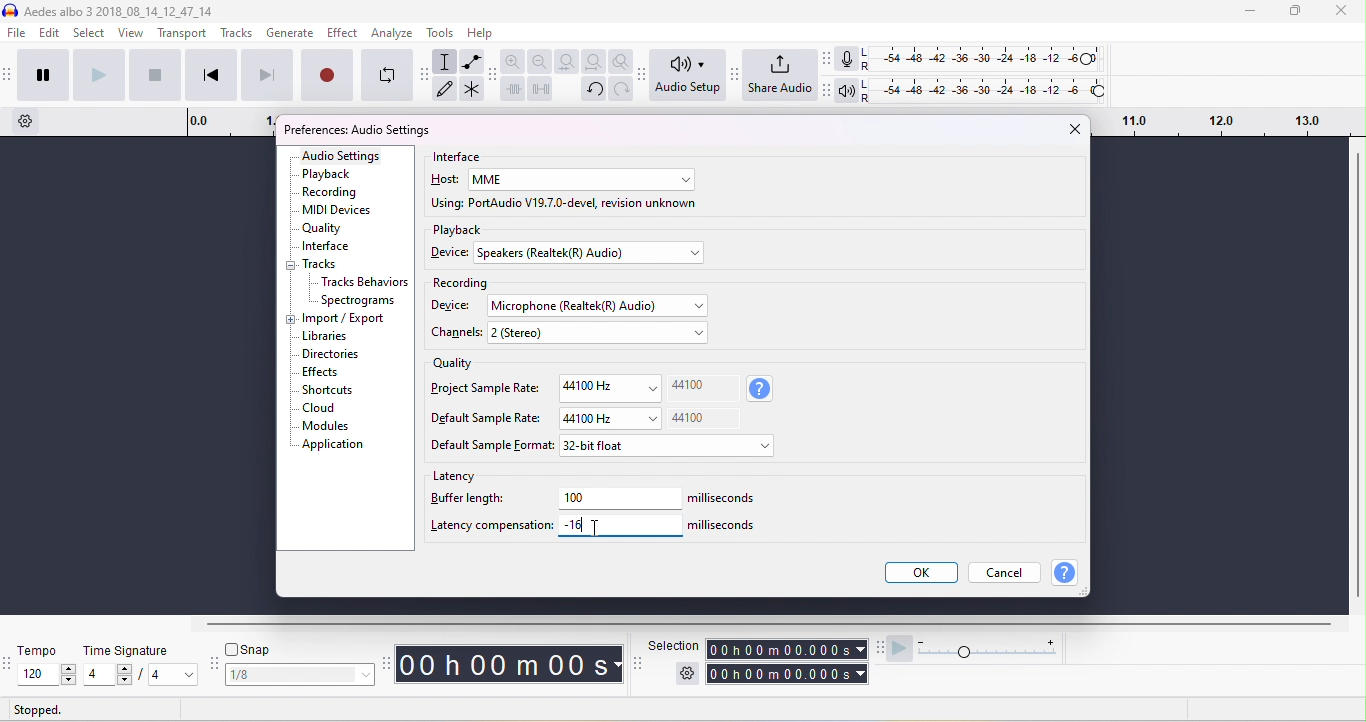  I want to click on sample rate information, so click(761, 389).